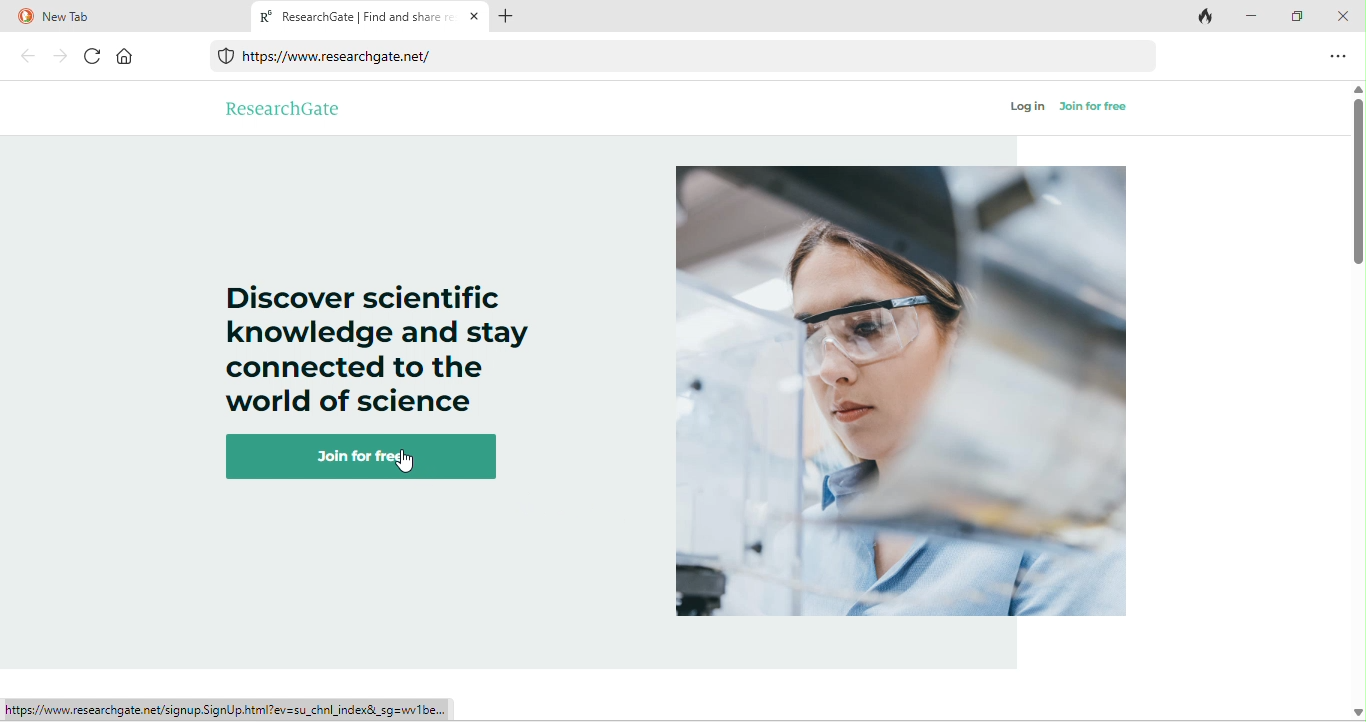  I want to click on home, so click(125, 56).